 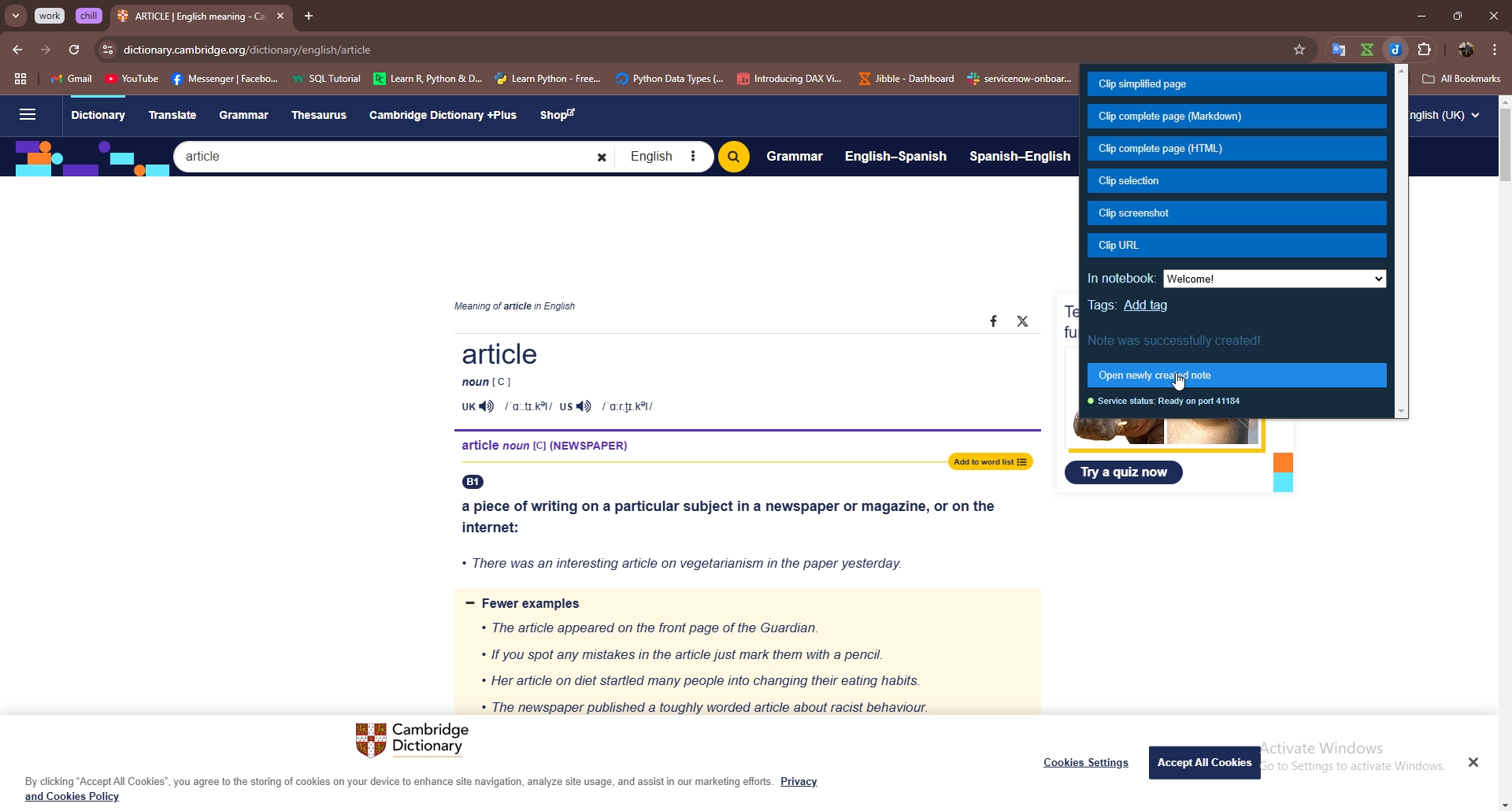 What do you see at coordinates (1236, 246) in the screenshot?
I see `clip url` at bounding box center [1236, 246].